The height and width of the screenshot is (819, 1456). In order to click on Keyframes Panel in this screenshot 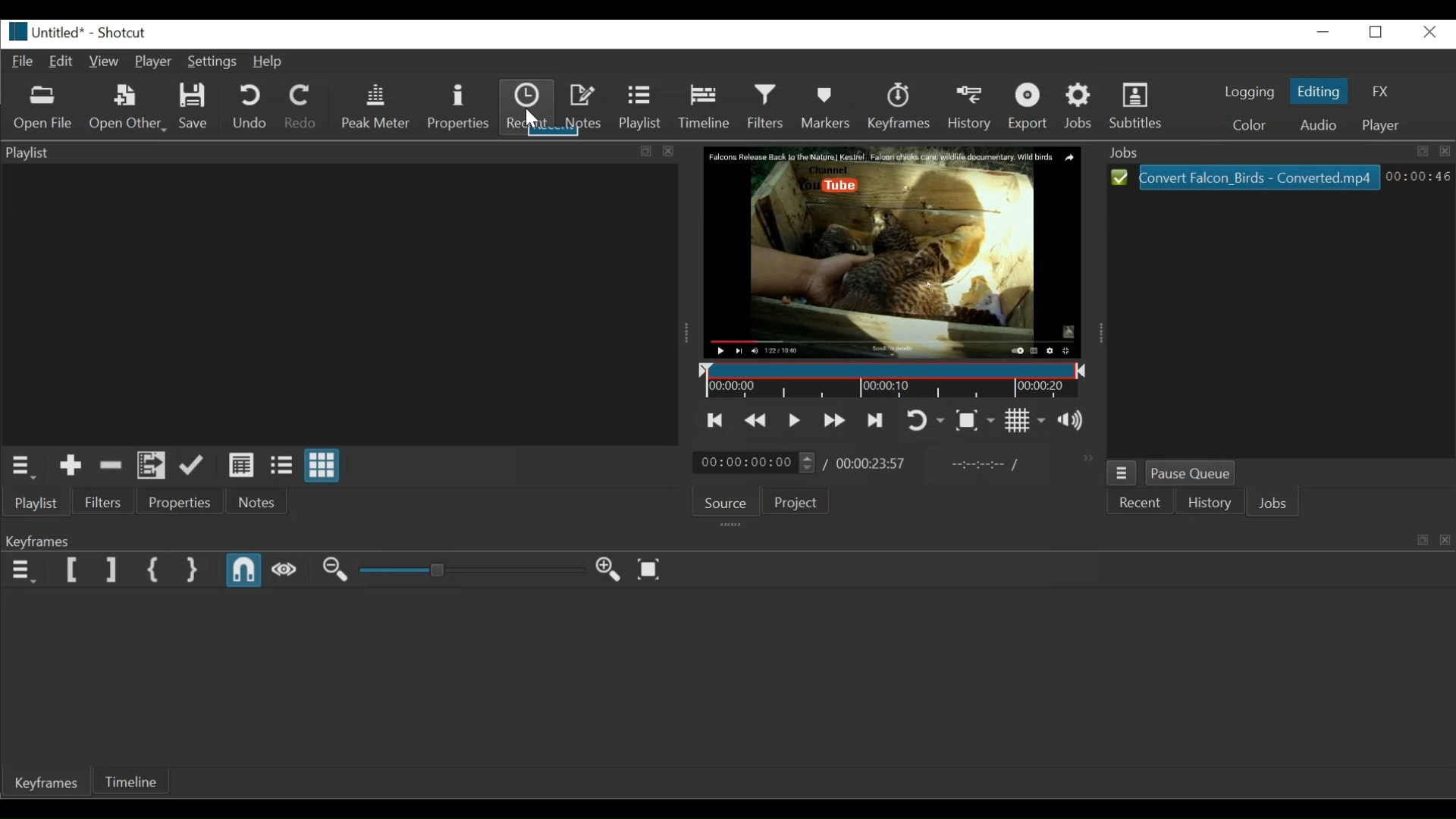, I will do `click(725, 541)`.